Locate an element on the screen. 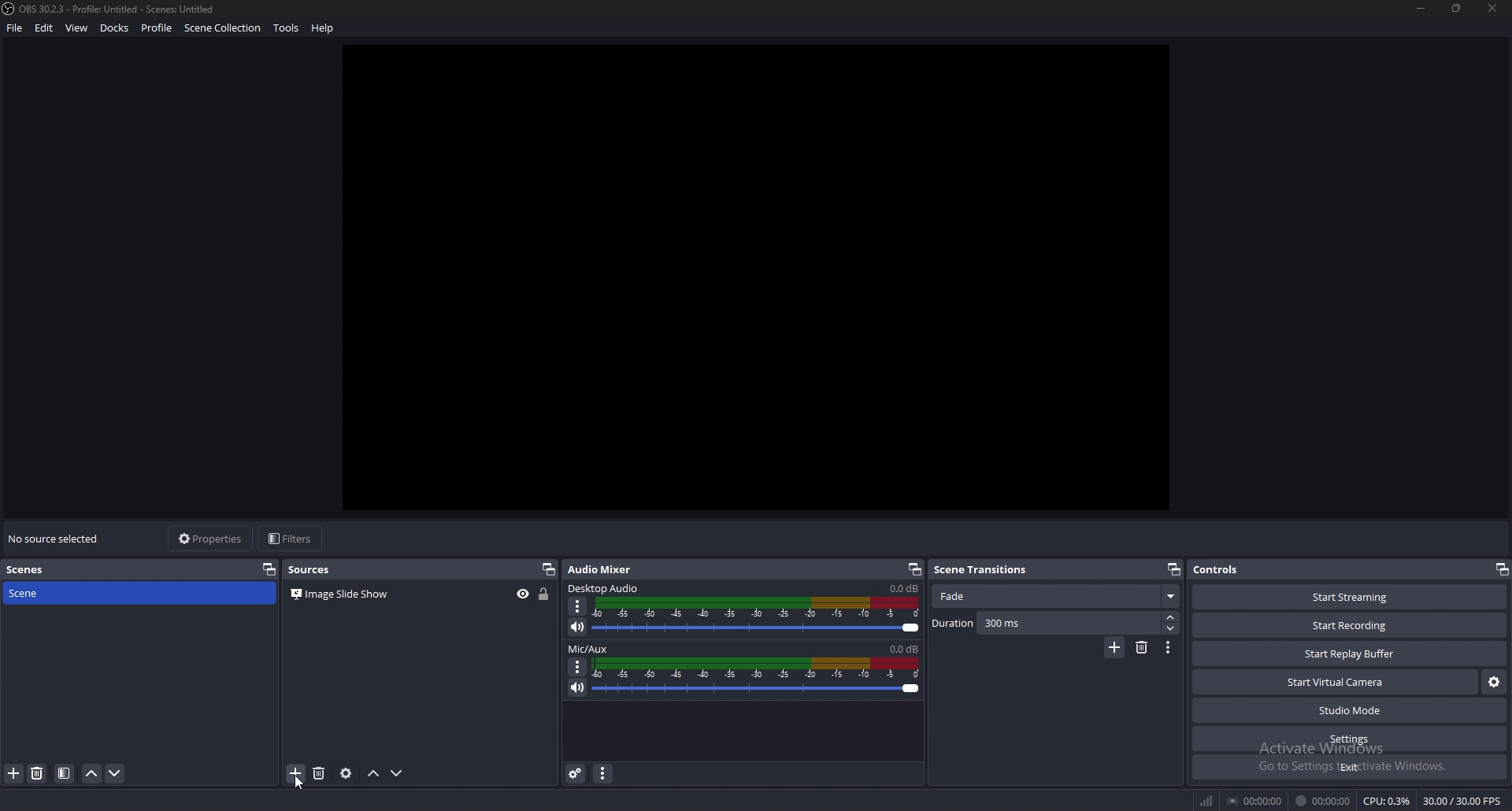 This screenshot has width=1512, height=811. remove source is located at coordinates (38, 773).